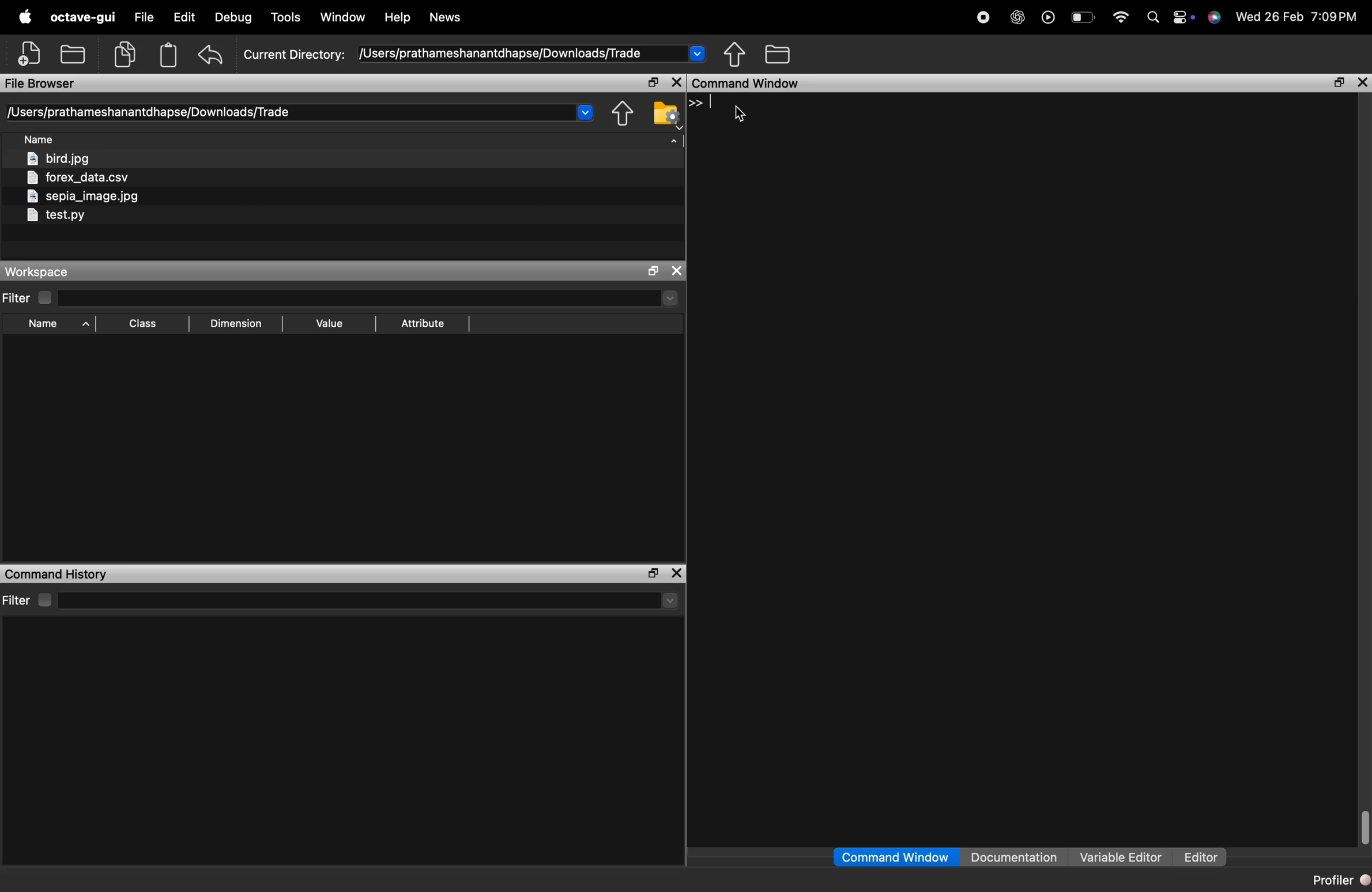 Image resolution: width=1372 pixels, height=892 pixels. What do you see at coordinates (27, 17) in the screenshot?
I see `apple logo` at bounding box center [27, 17].